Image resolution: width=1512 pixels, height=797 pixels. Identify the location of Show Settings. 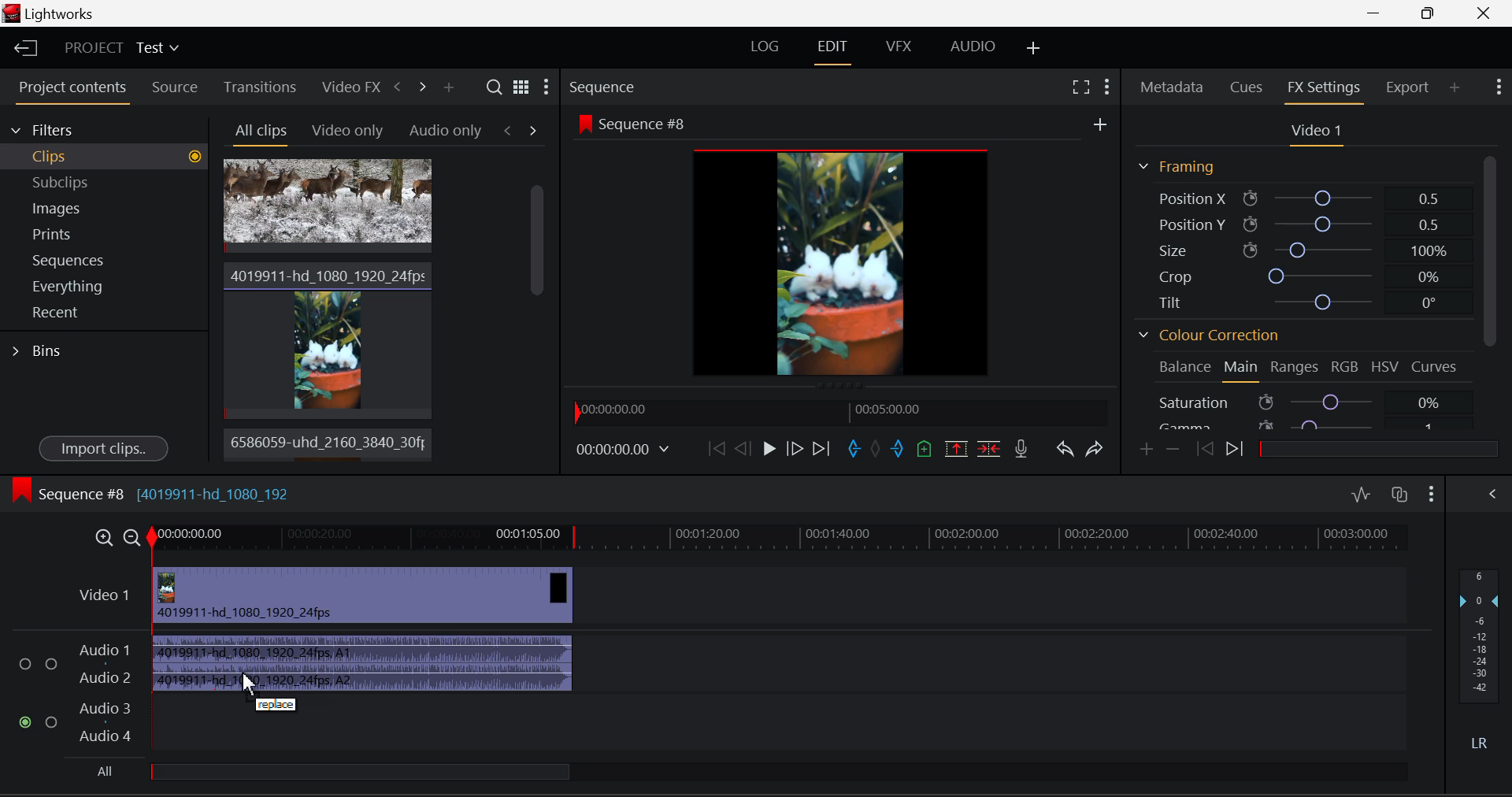
(1498, 87).